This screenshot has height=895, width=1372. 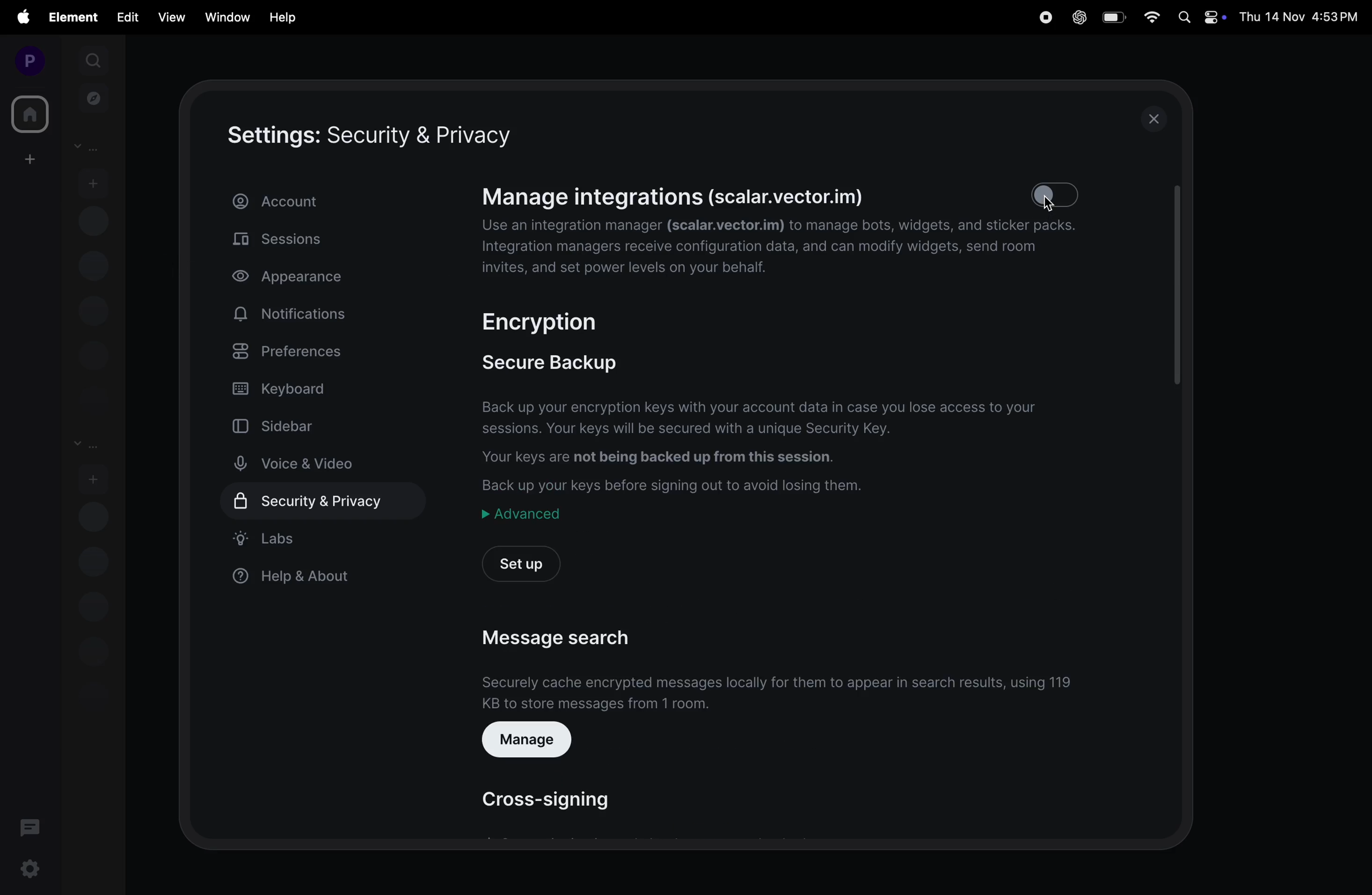 I want to click on profile, so click(x=27, y=60).